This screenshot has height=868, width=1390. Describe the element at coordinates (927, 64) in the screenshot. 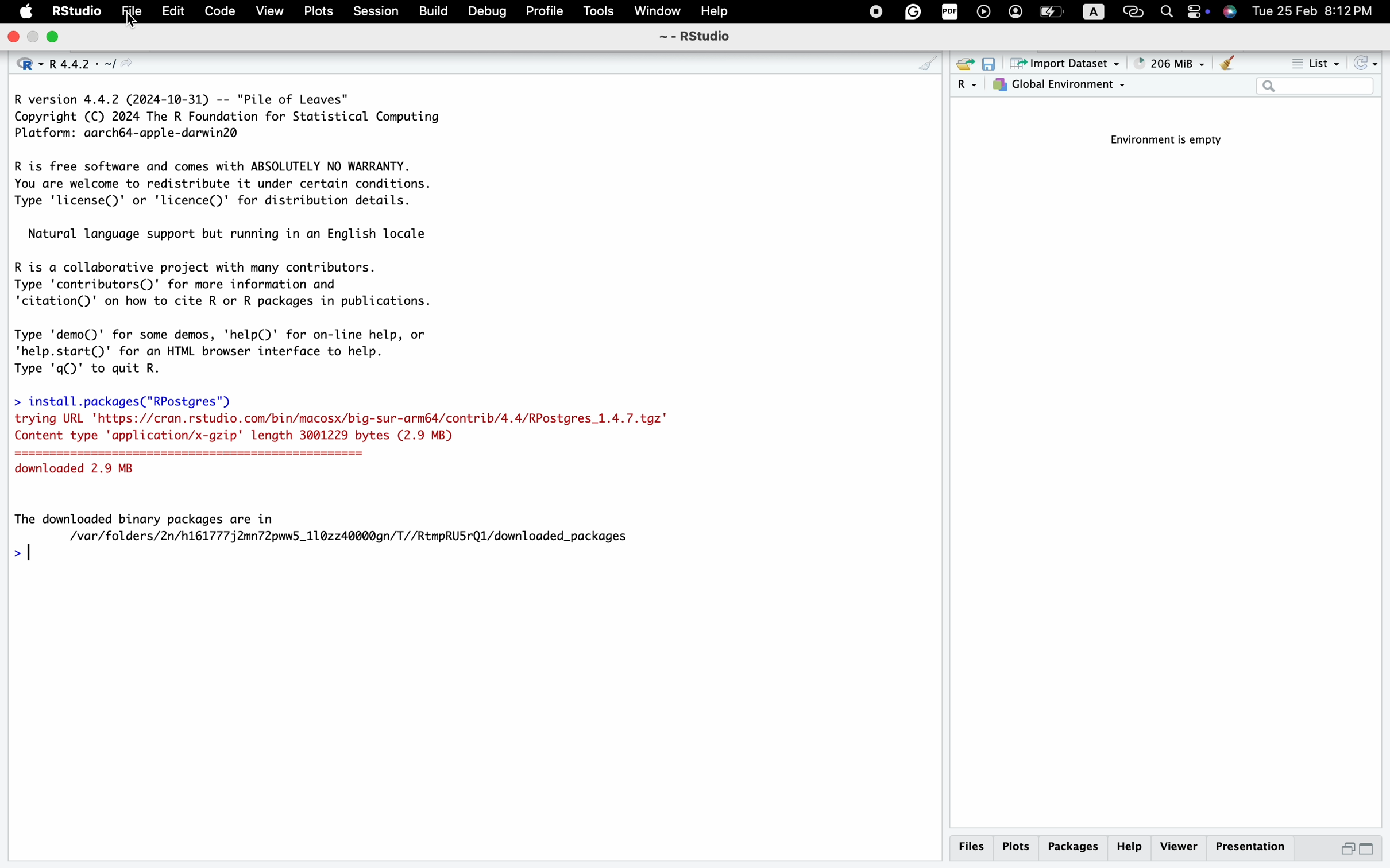

I see `console` at that location.